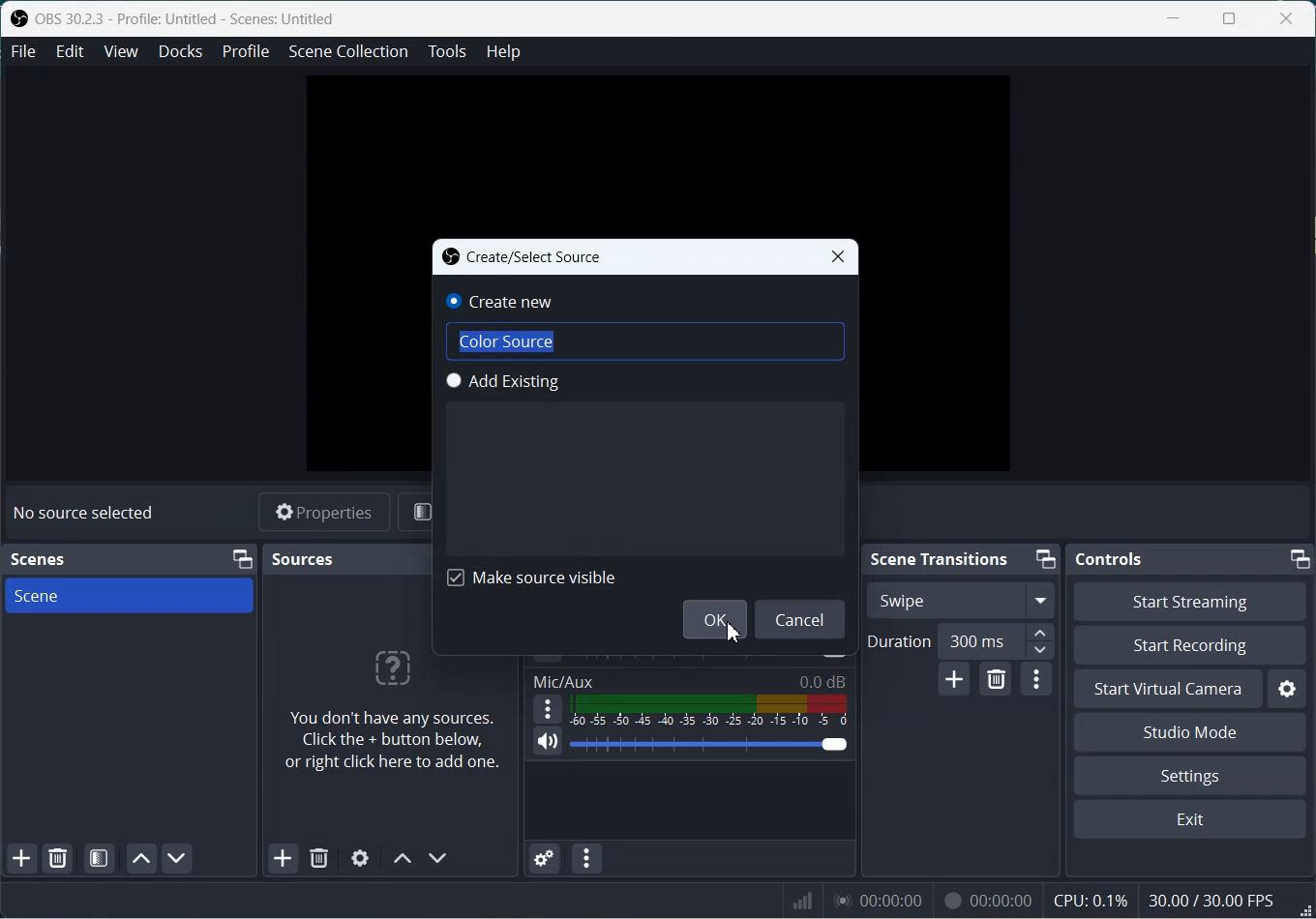  I want to click on Cursor, so click(734, 637).